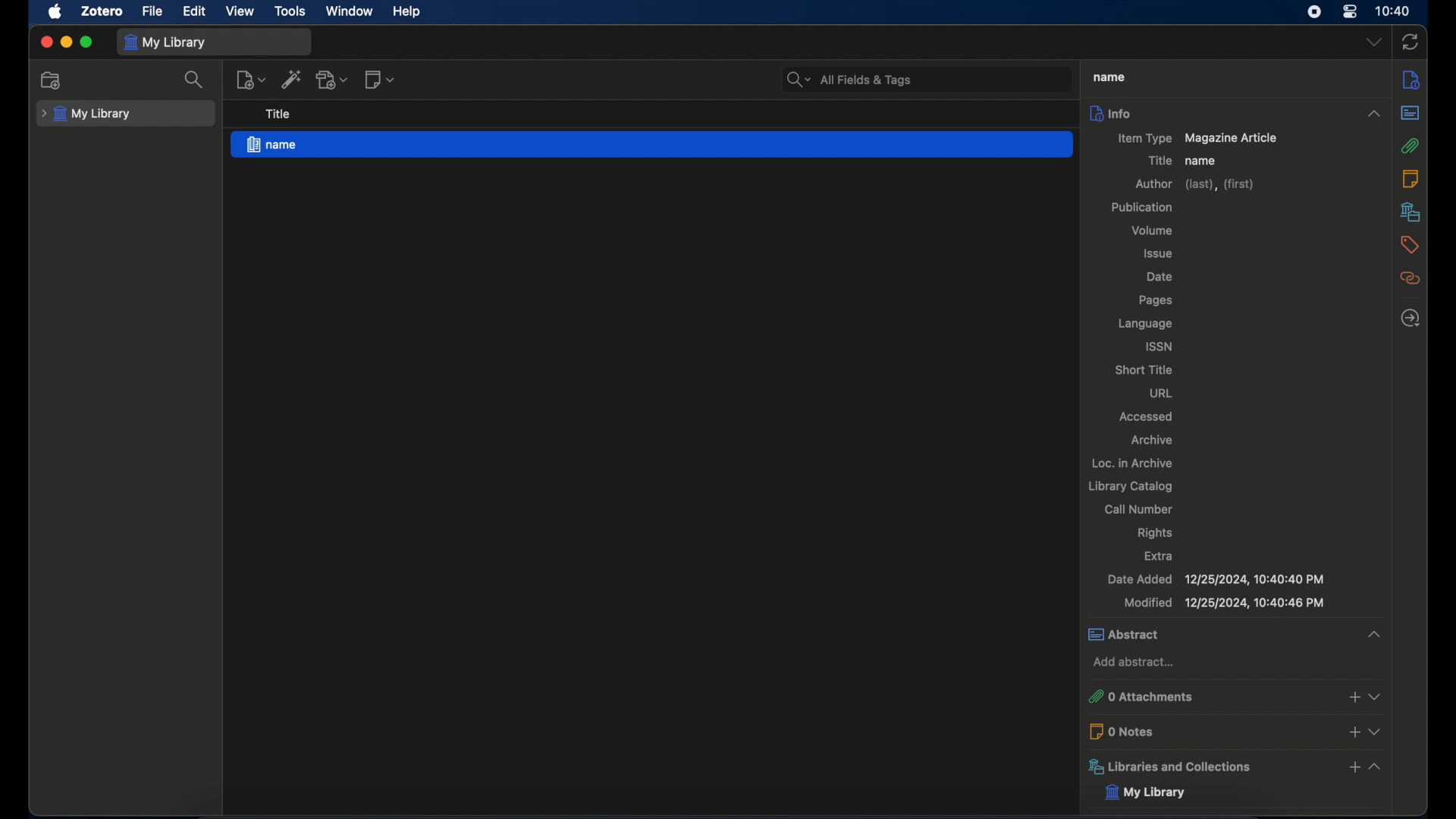  Describe the element at coordinates (53, 80) in the screenshot. I see `new collection` at that location.